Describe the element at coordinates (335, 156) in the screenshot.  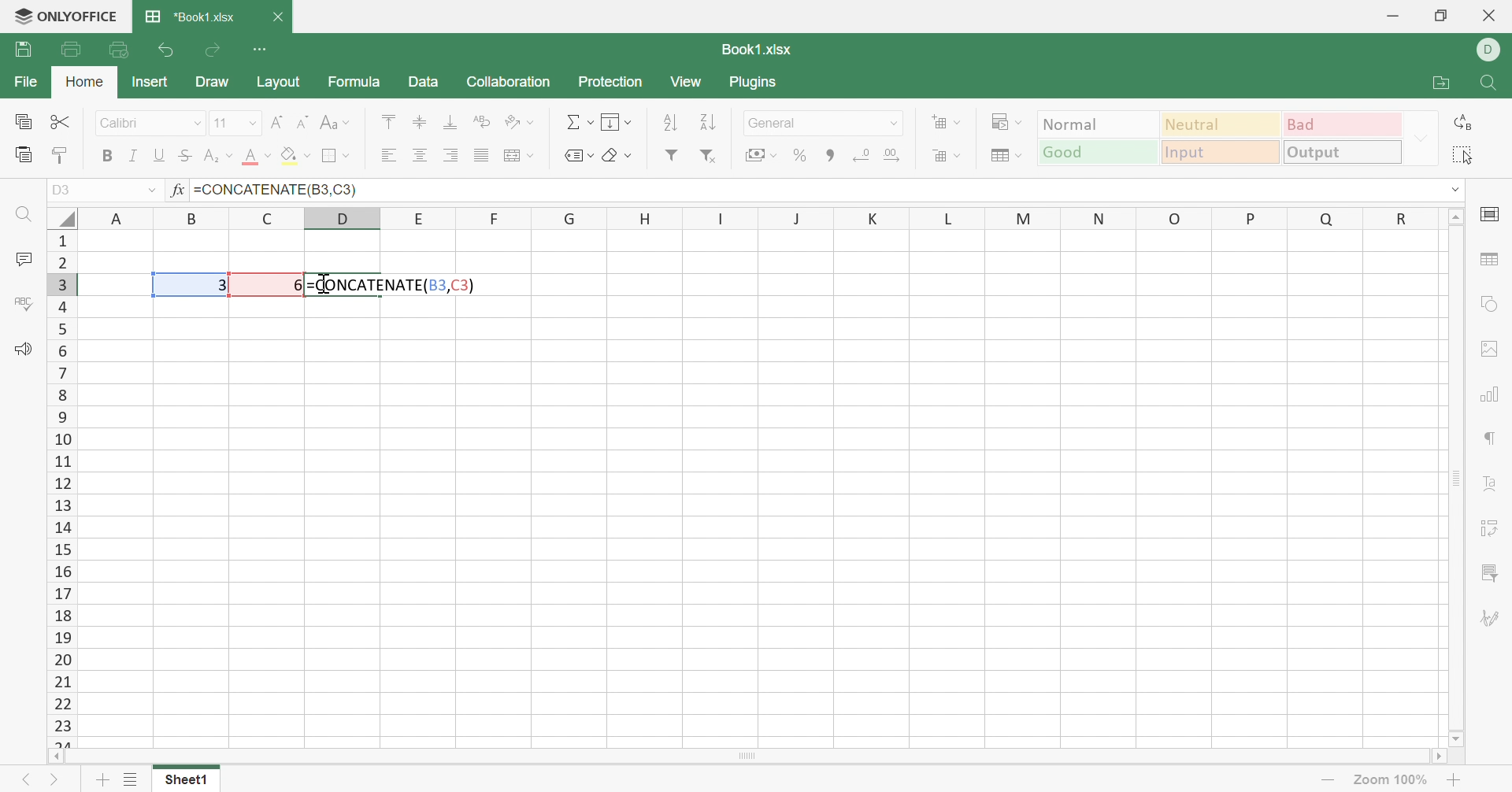
I see `Borders` at that location.